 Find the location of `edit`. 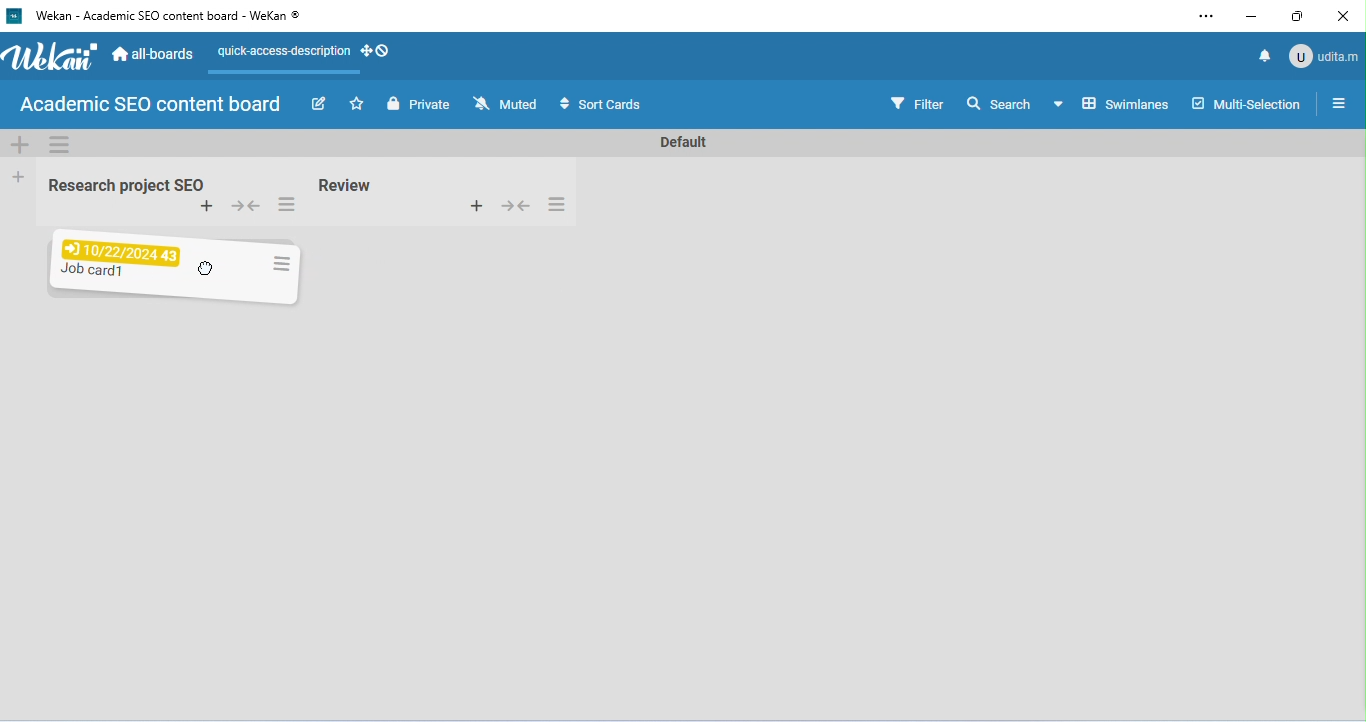

edit is located at coordinates (322, 106).